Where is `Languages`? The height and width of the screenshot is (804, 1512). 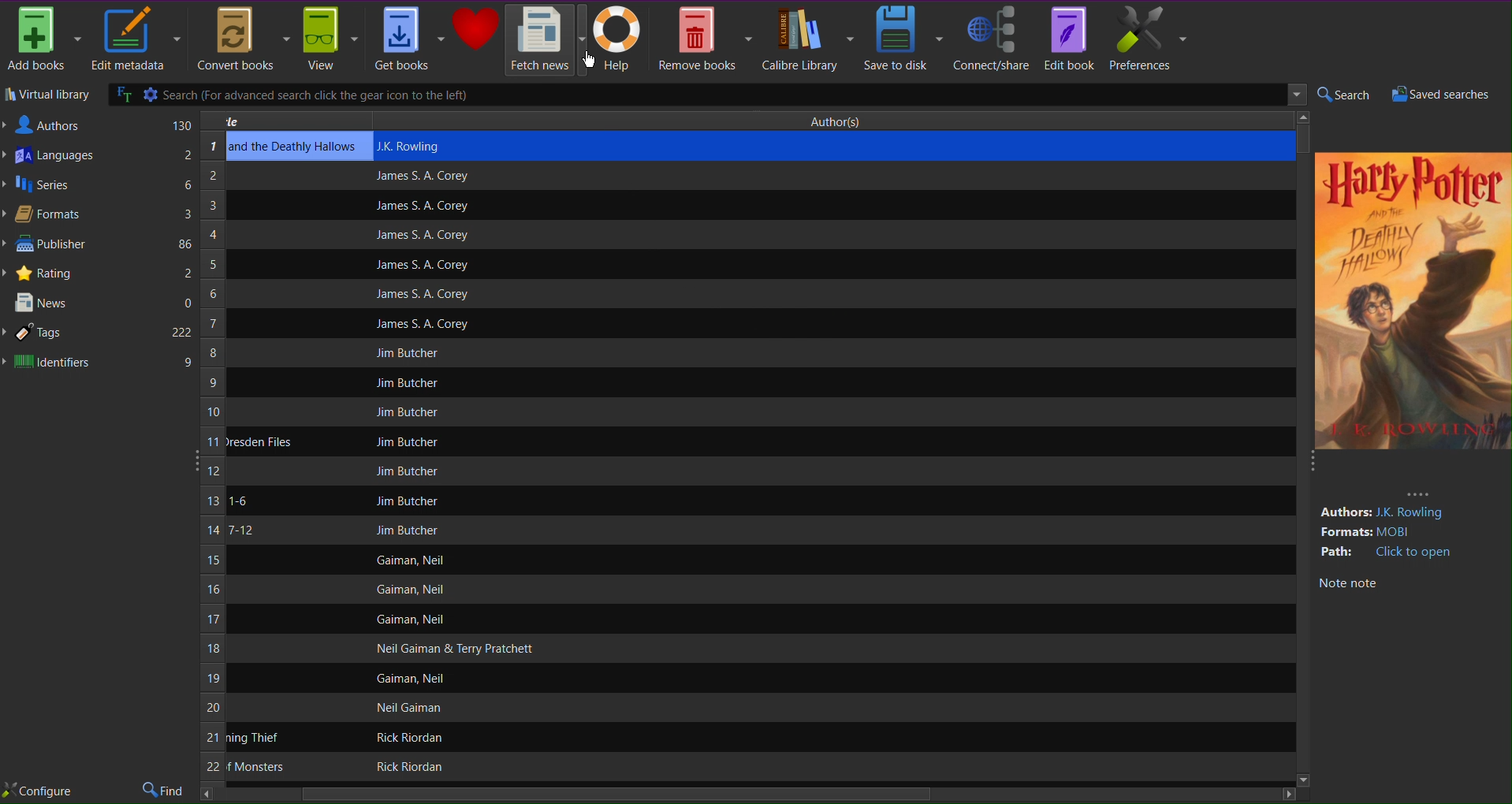
Languages is located at coordinates (99, 157).